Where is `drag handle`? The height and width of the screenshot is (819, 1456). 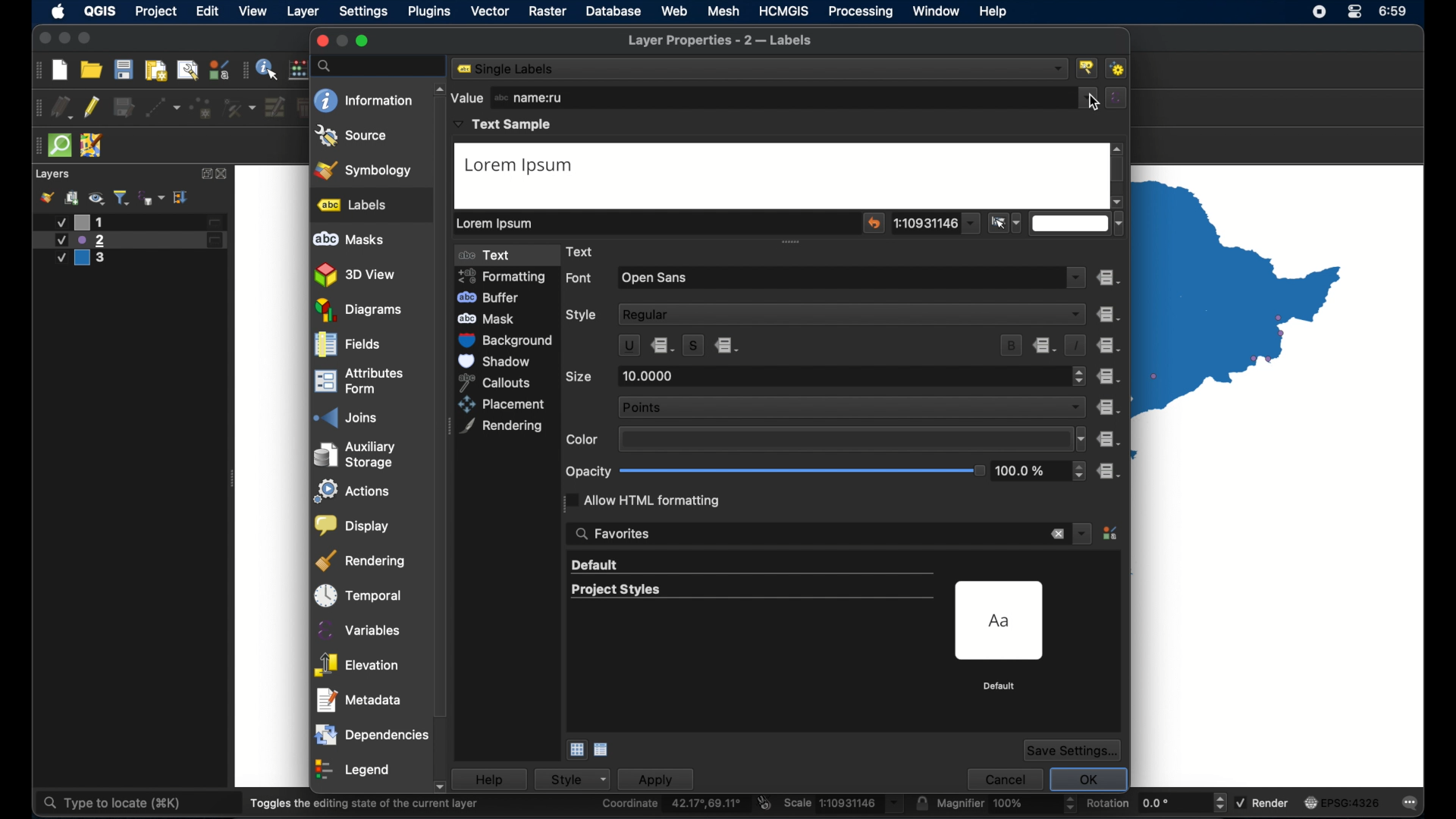 drag handle is located at coordinates (36, 146).